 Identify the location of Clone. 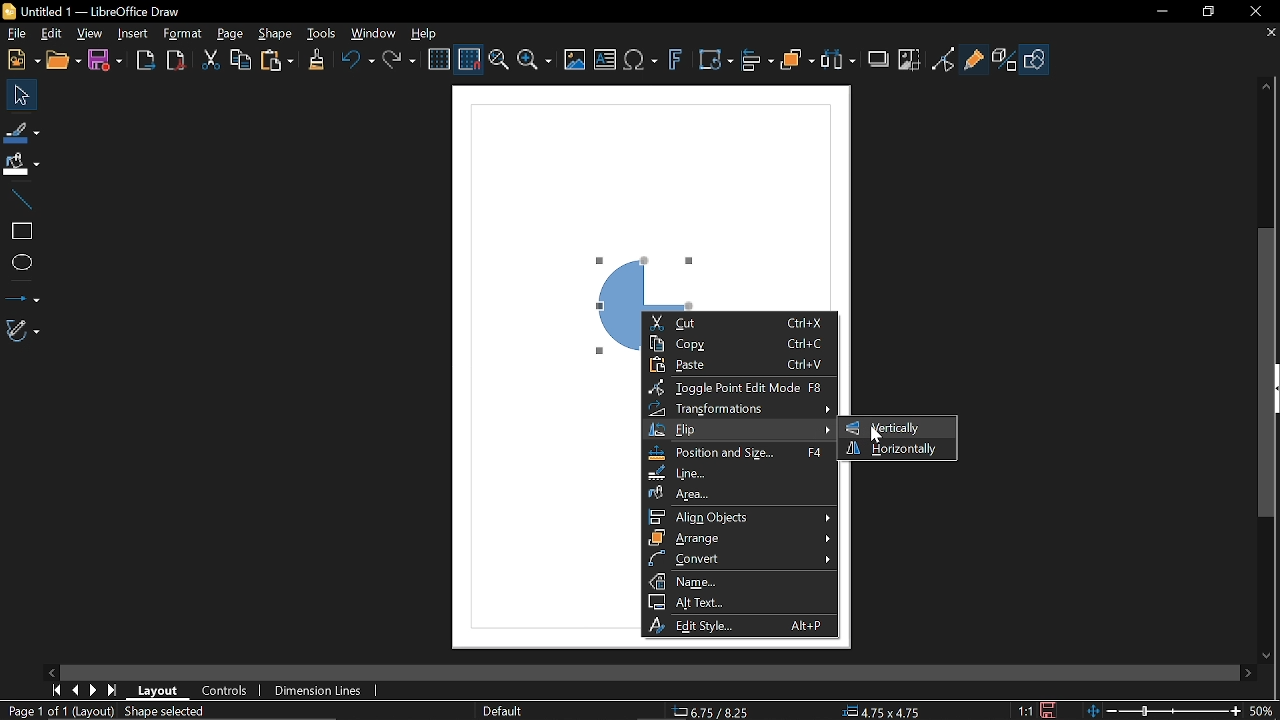
(316, 60).